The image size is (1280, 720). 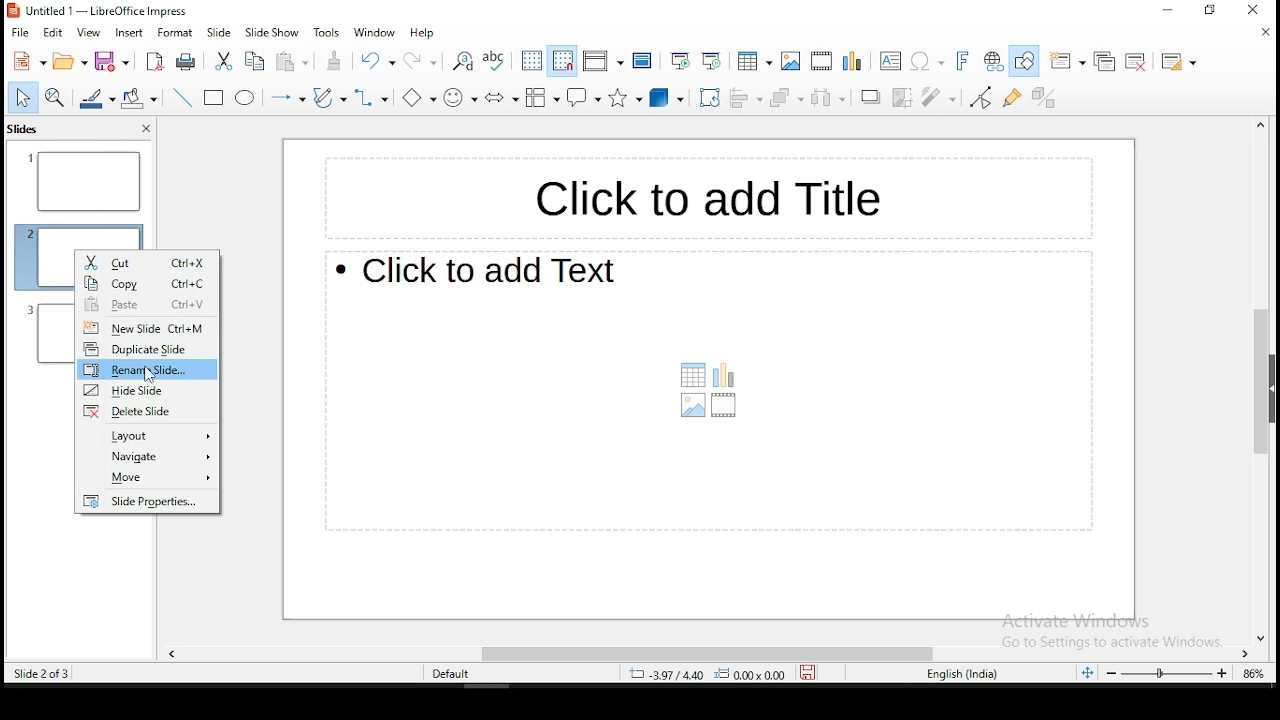 I want to click on rectangle tool, so click(x=212, y=98).